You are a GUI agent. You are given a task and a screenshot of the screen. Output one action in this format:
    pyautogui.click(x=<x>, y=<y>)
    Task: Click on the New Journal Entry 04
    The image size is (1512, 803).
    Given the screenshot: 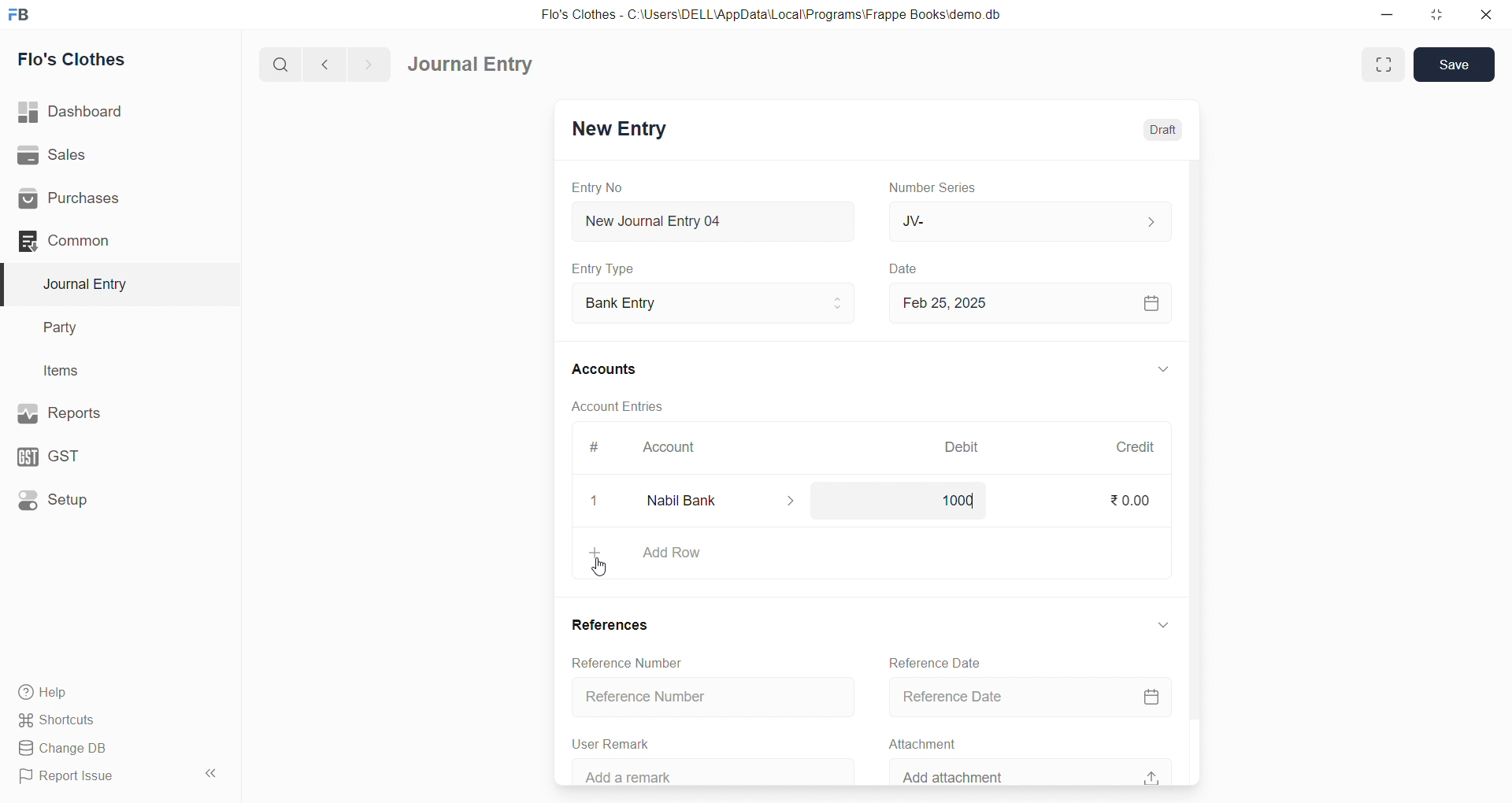 What is the action you would take?
    pyautogui.click(x=710, y=220)
    